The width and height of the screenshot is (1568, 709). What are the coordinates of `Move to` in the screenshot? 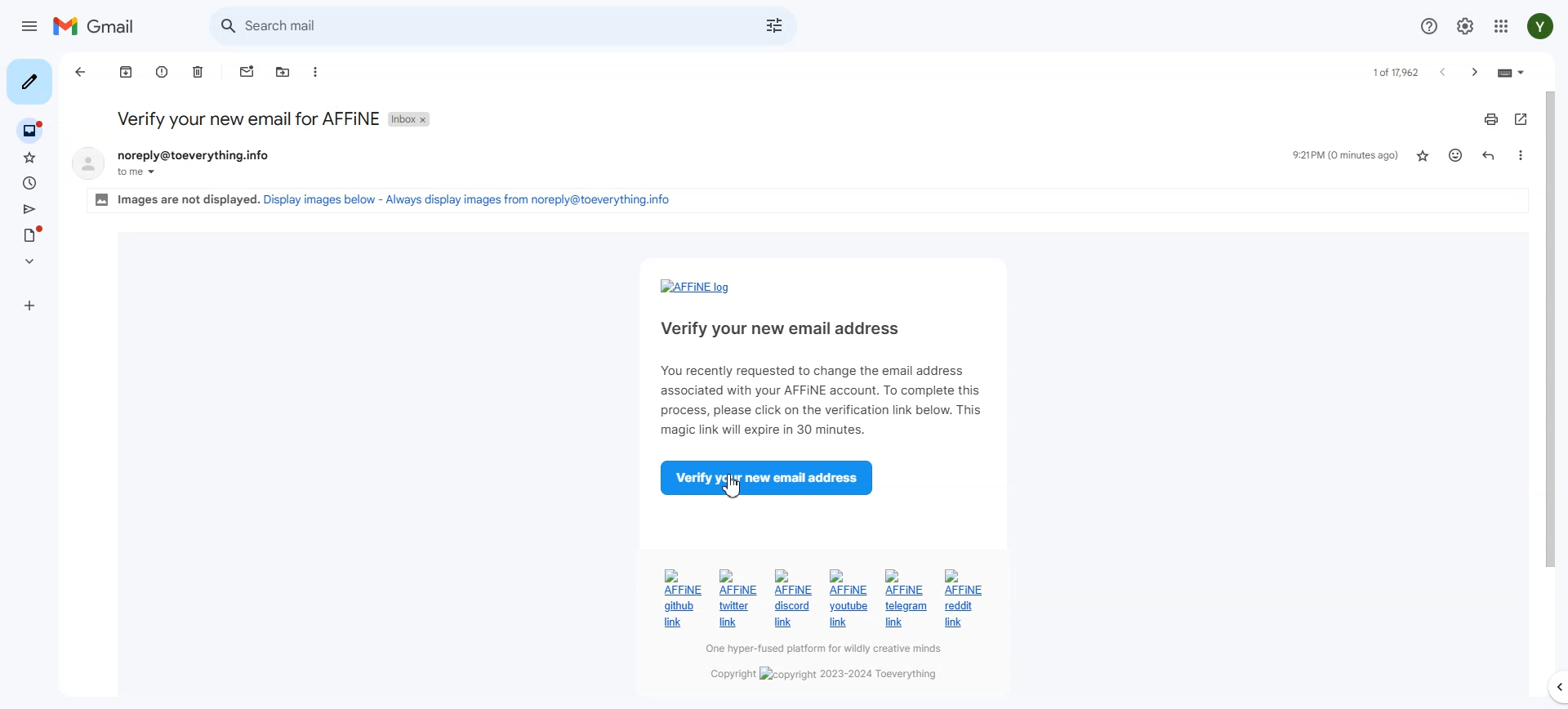 It's located at (283, 73).